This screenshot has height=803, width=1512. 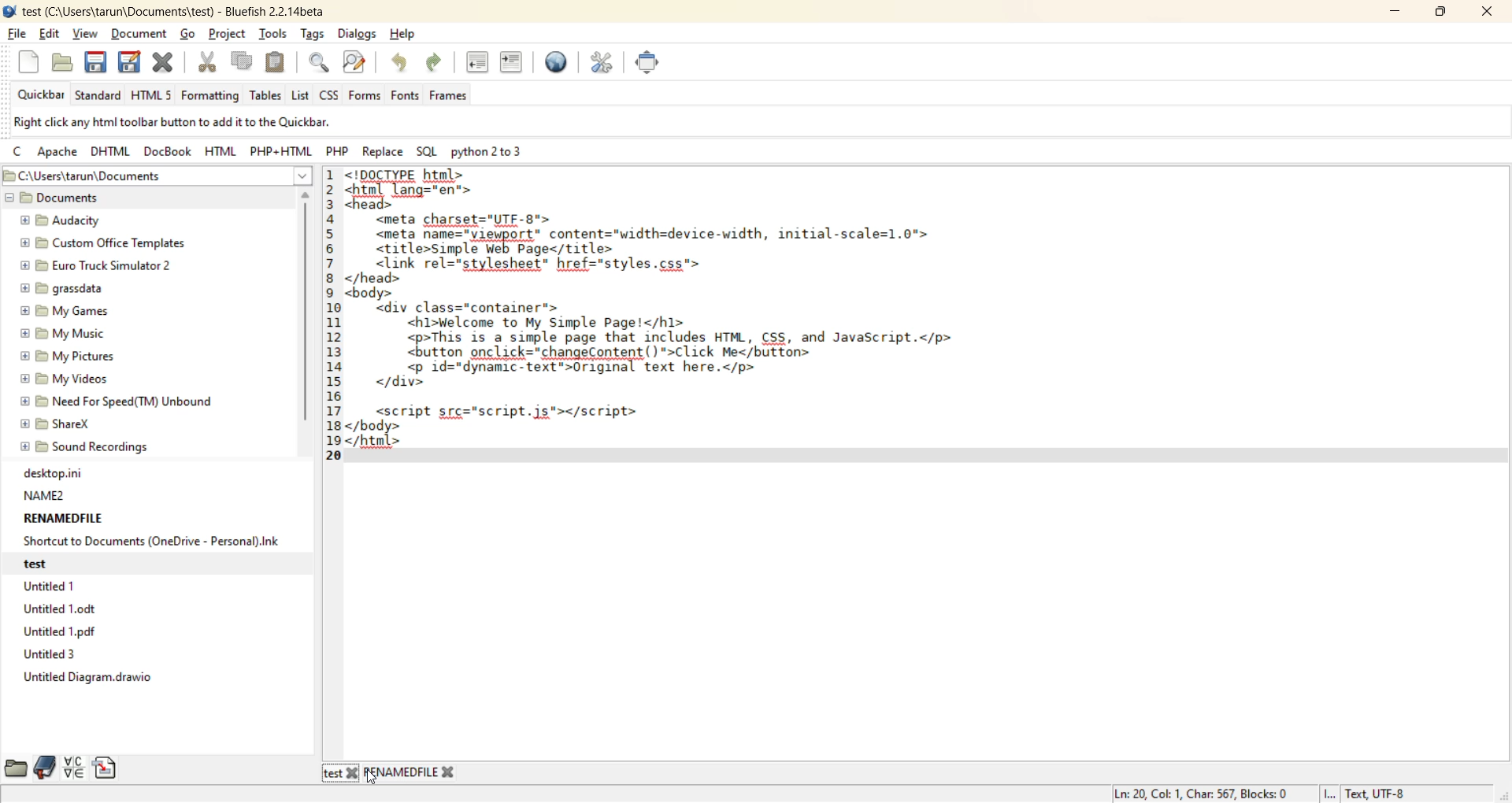 What do you see at coordinates (65, 311) in the screenshot?
I see `My Games` at bounding box center [65, 311].